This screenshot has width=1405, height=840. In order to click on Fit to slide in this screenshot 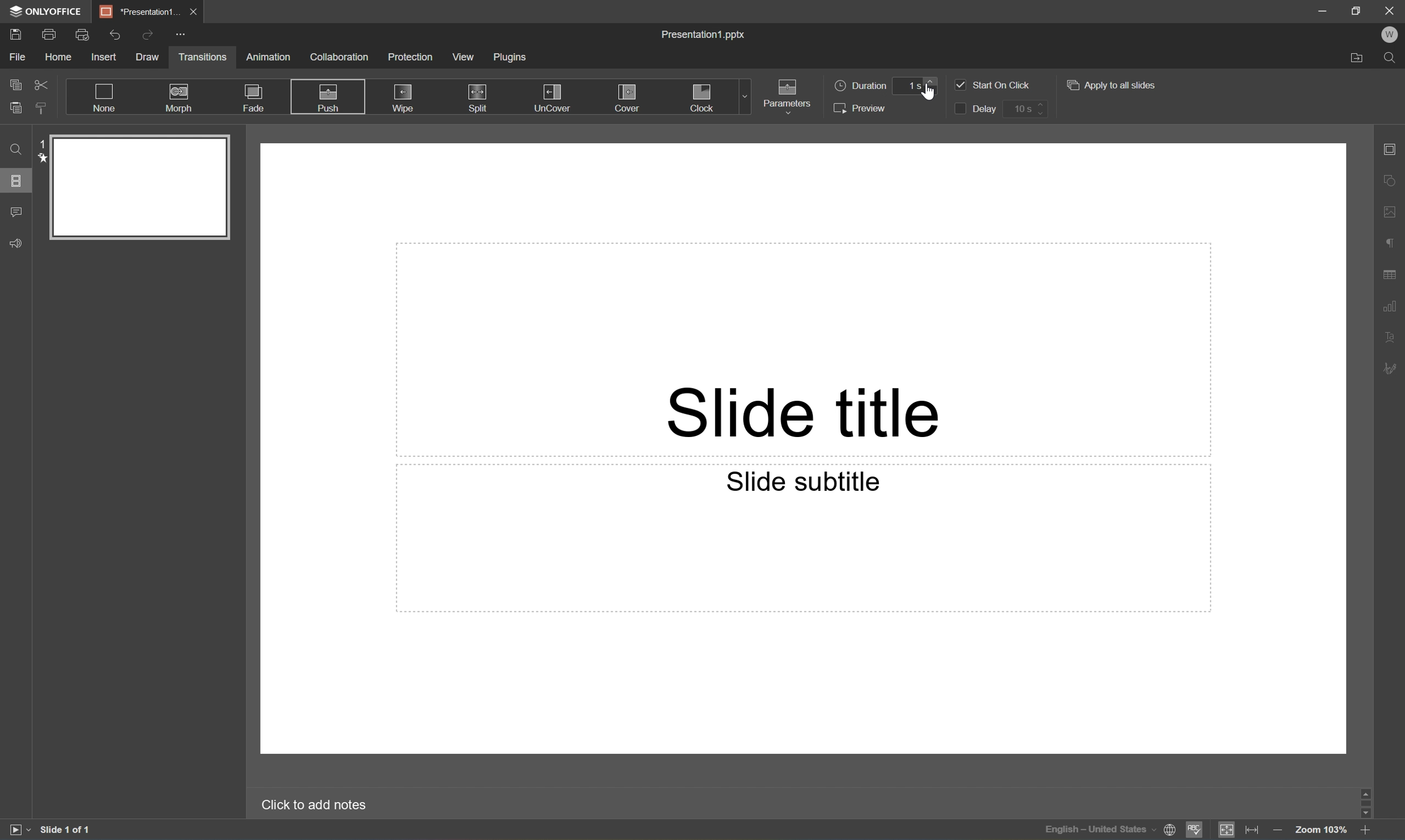, I will do `click(1229, 831)`.